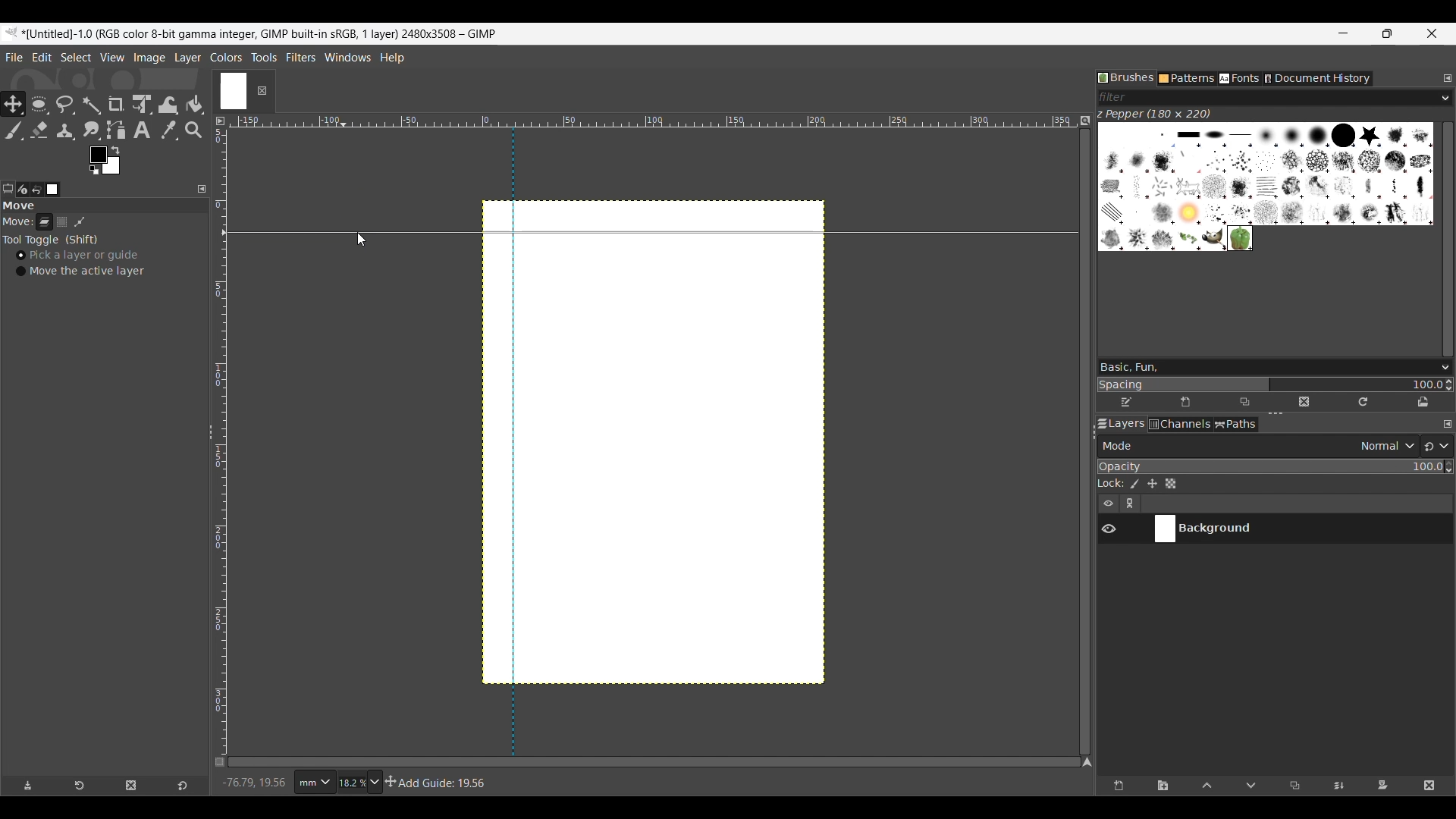 This screenshot has width=1456, height=819. Describe the element at coordinates (195, 105) in the screenshot. I see `Bucket fill` at that location.